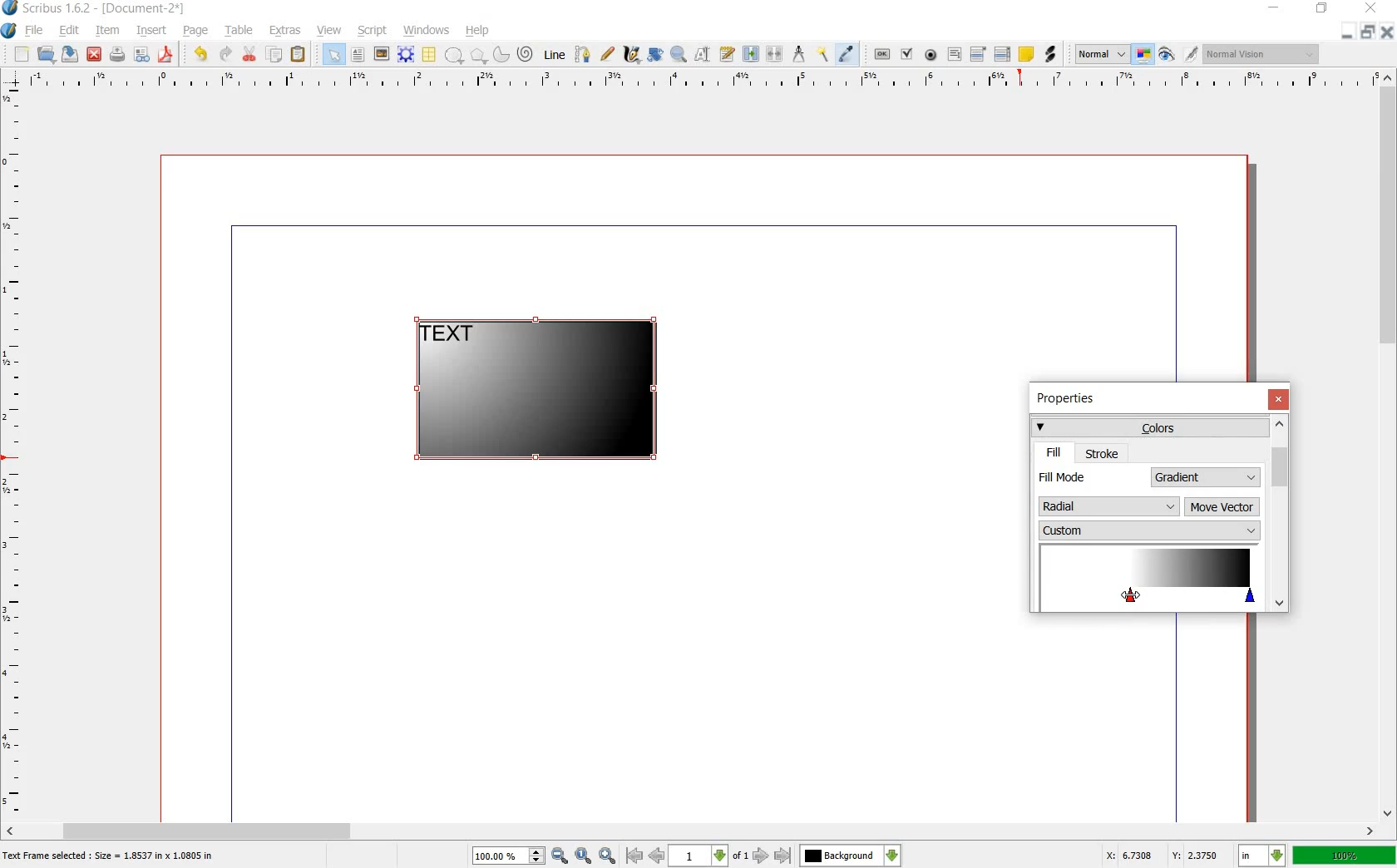 This screenshot has height=868, width=1397. I want to click on properties, so click(1071, 400).